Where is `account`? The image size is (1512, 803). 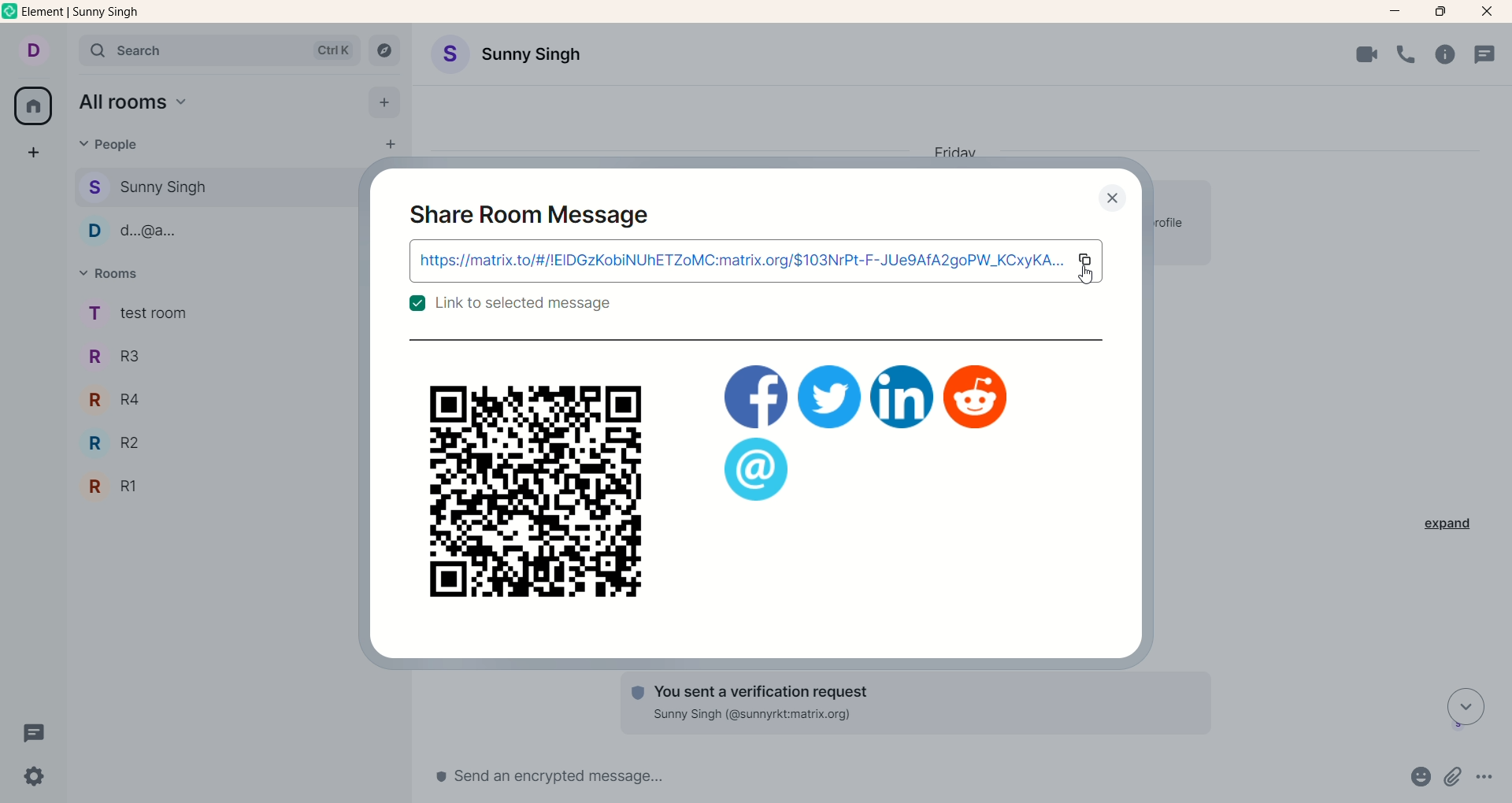 account is located at coordinates (35, 52).